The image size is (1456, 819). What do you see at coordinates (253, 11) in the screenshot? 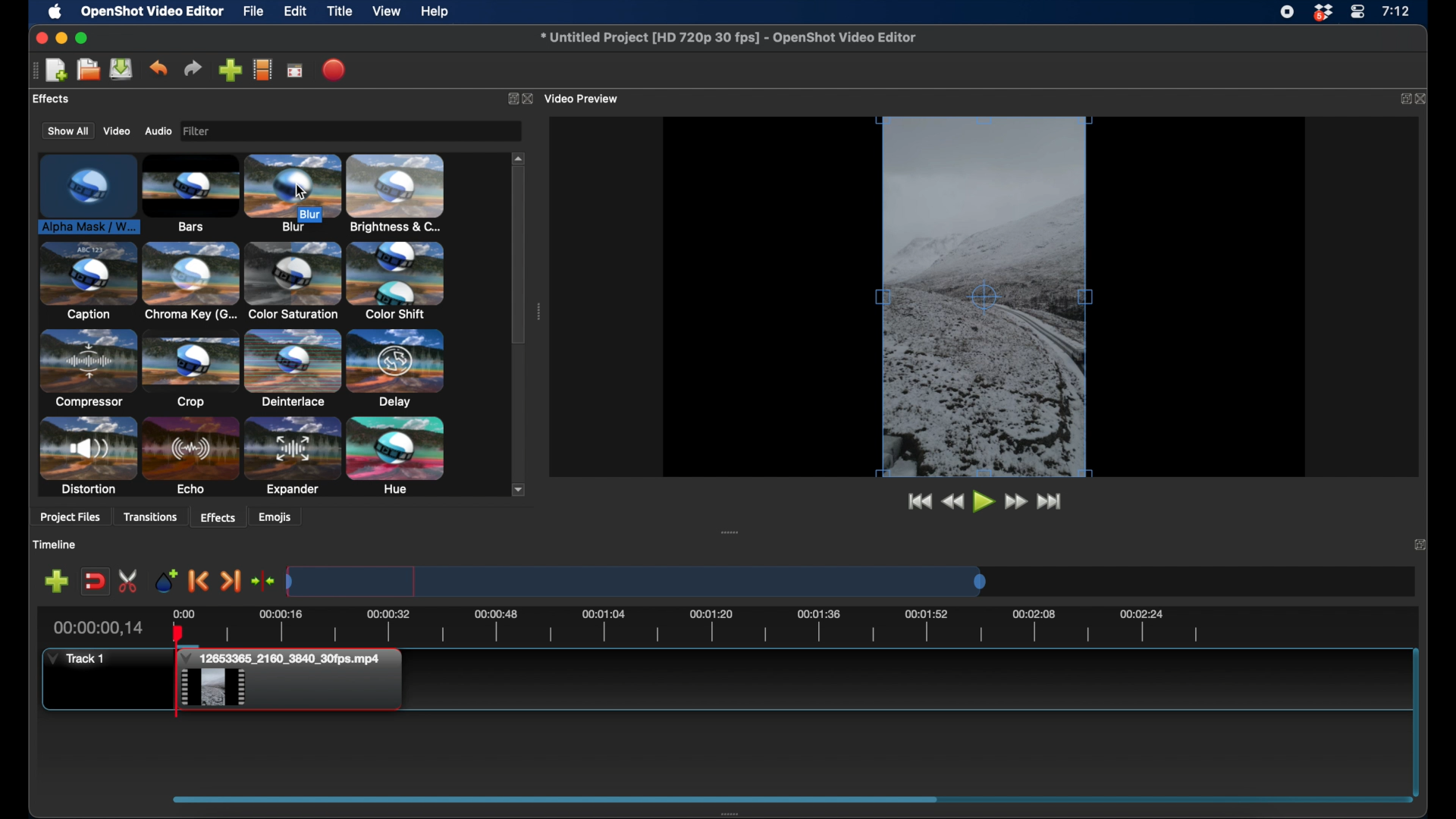
I see `file` at bounding box center [253, 11].